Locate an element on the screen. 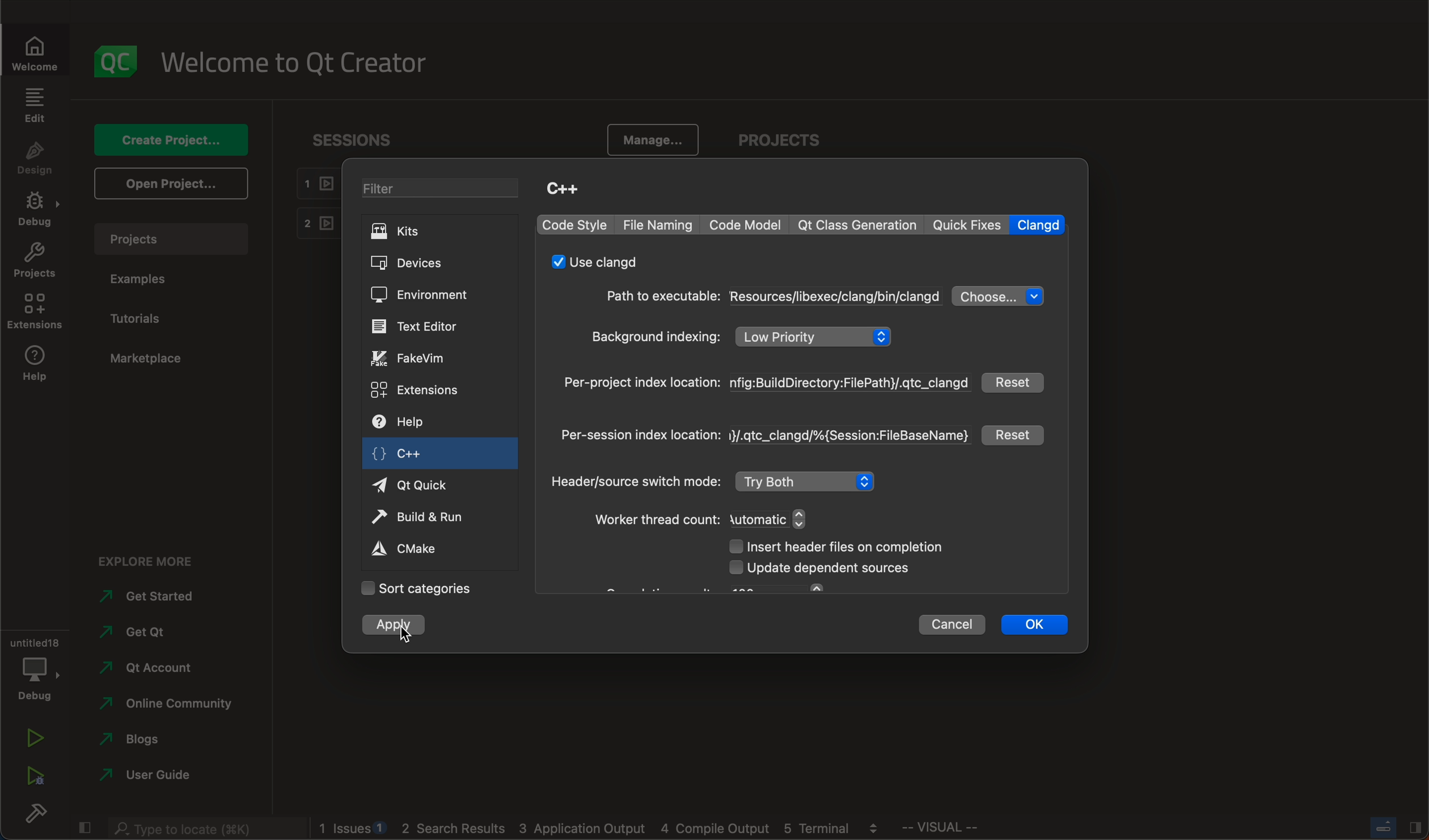 The width and height of the screenshot is (1429, 840). marketplace is located at coordinates (164, 359).